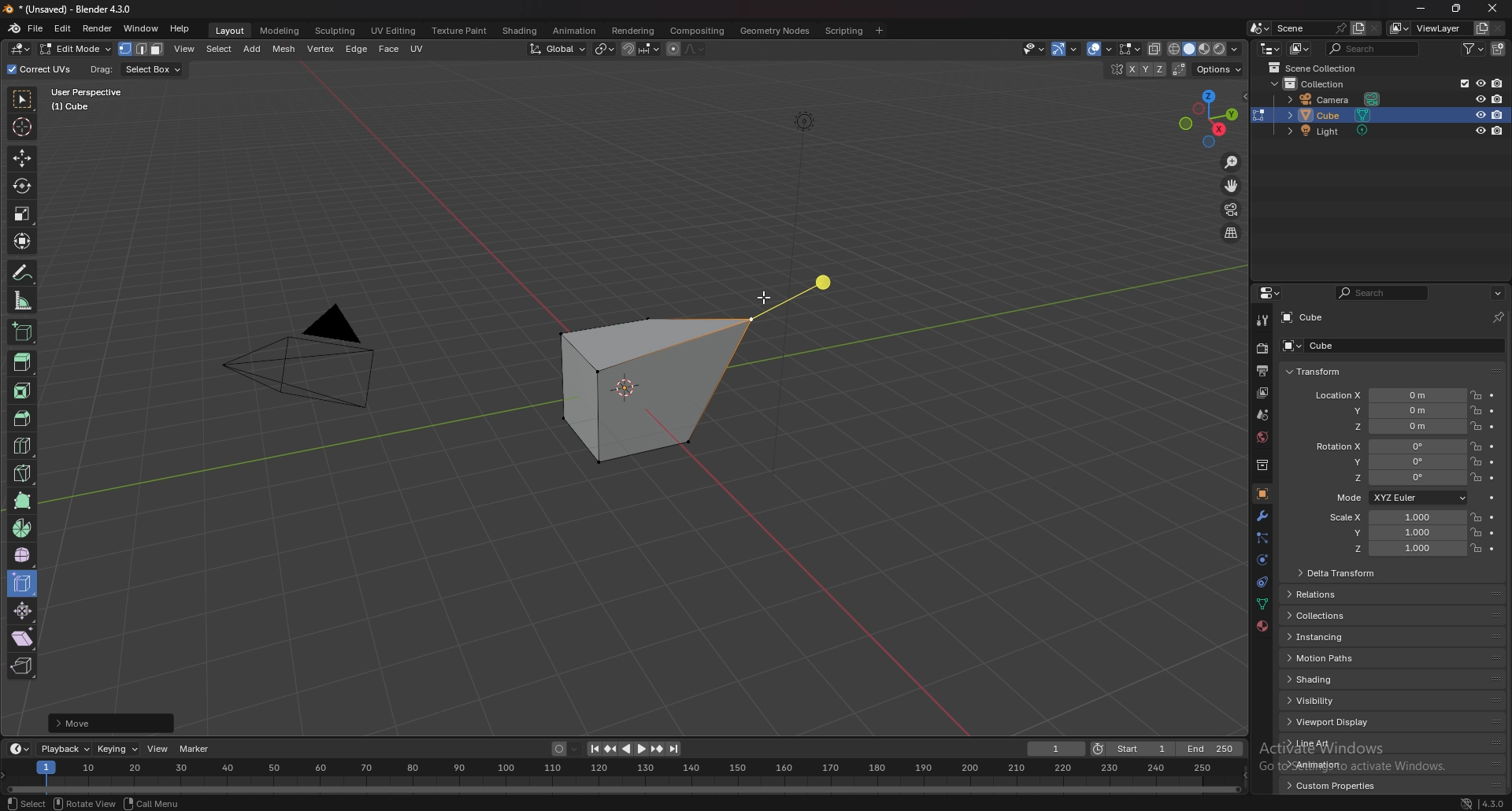 This screenshot has height=811, width=1512. I want to click on sculpting, so click(335, 31).